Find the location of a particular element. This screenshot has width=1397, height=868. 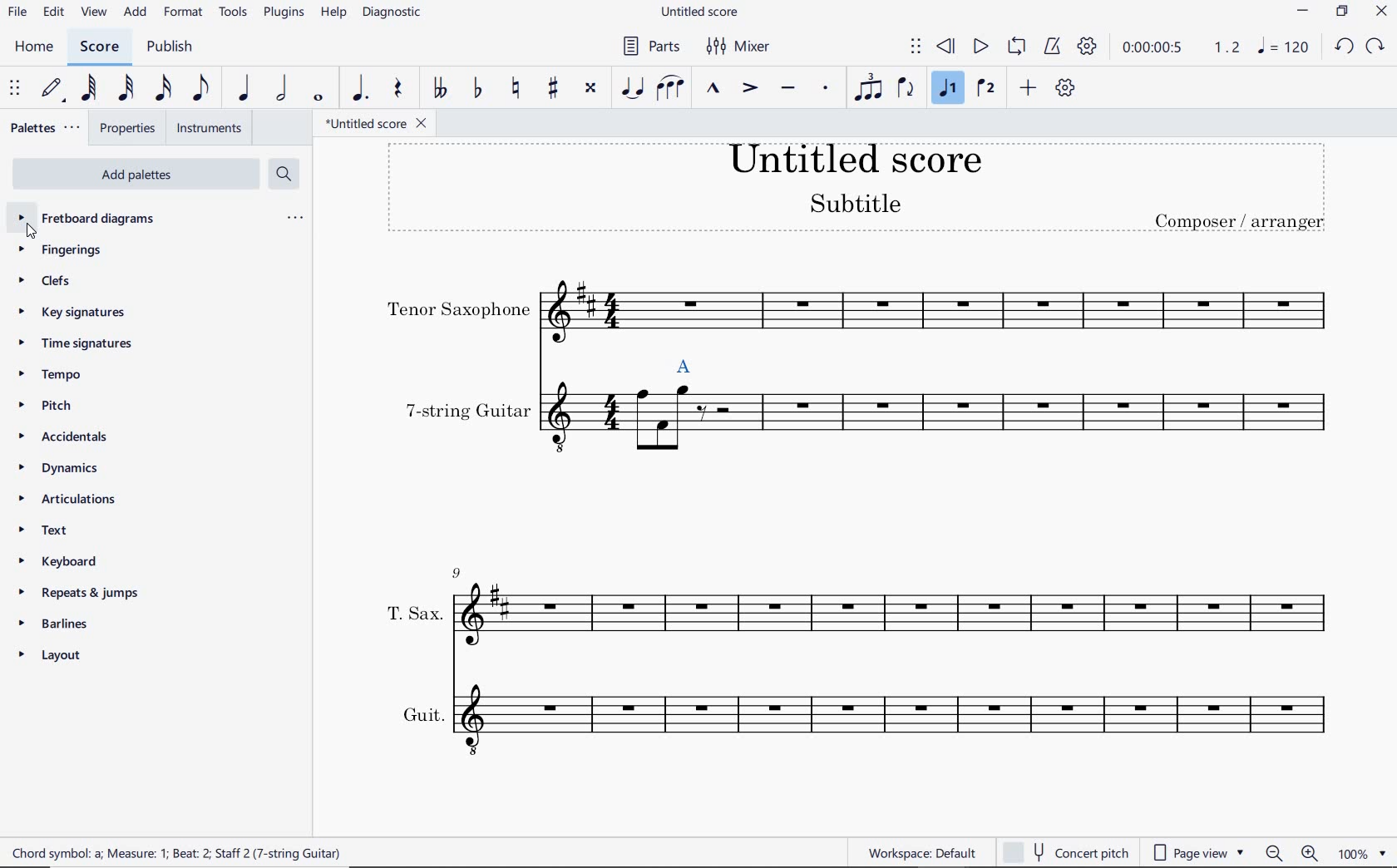

EIGHTH NOTE is located at coordinates (201, 89).